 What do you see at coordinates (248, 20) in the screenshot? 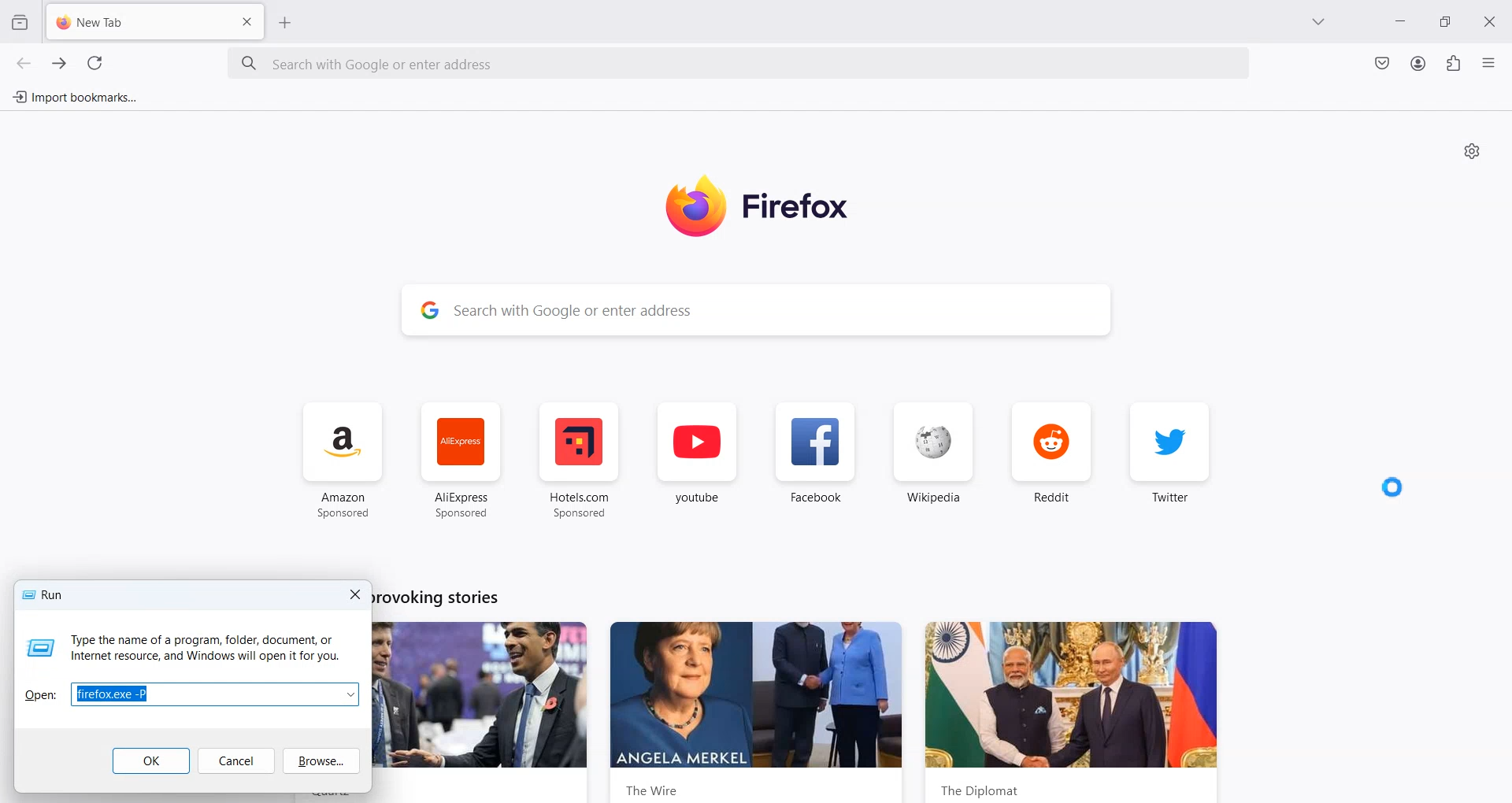
I see `Close Tab` at bounding box center [248, 20].